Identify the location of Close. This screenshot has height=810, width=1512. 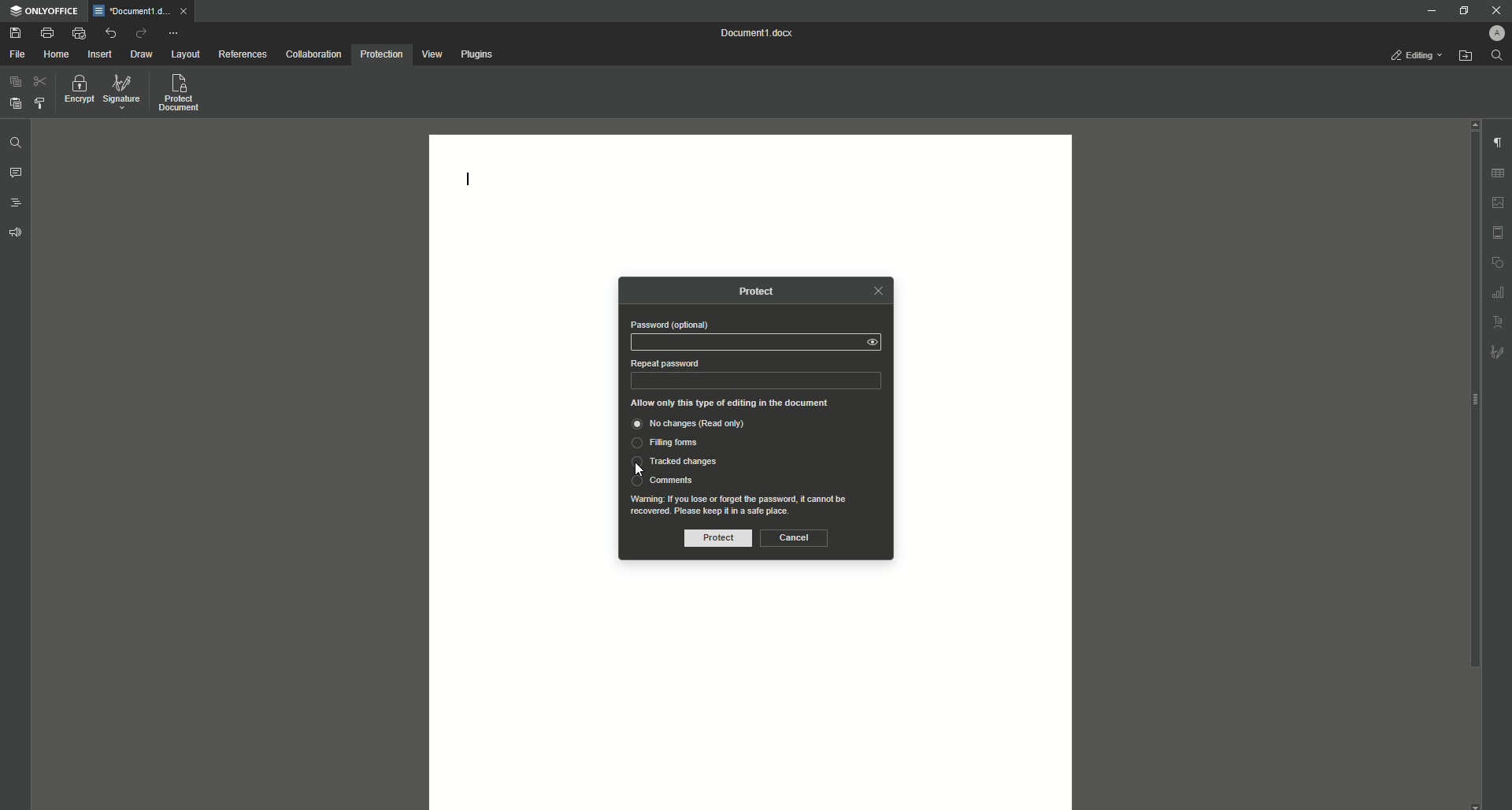
(878, 291).